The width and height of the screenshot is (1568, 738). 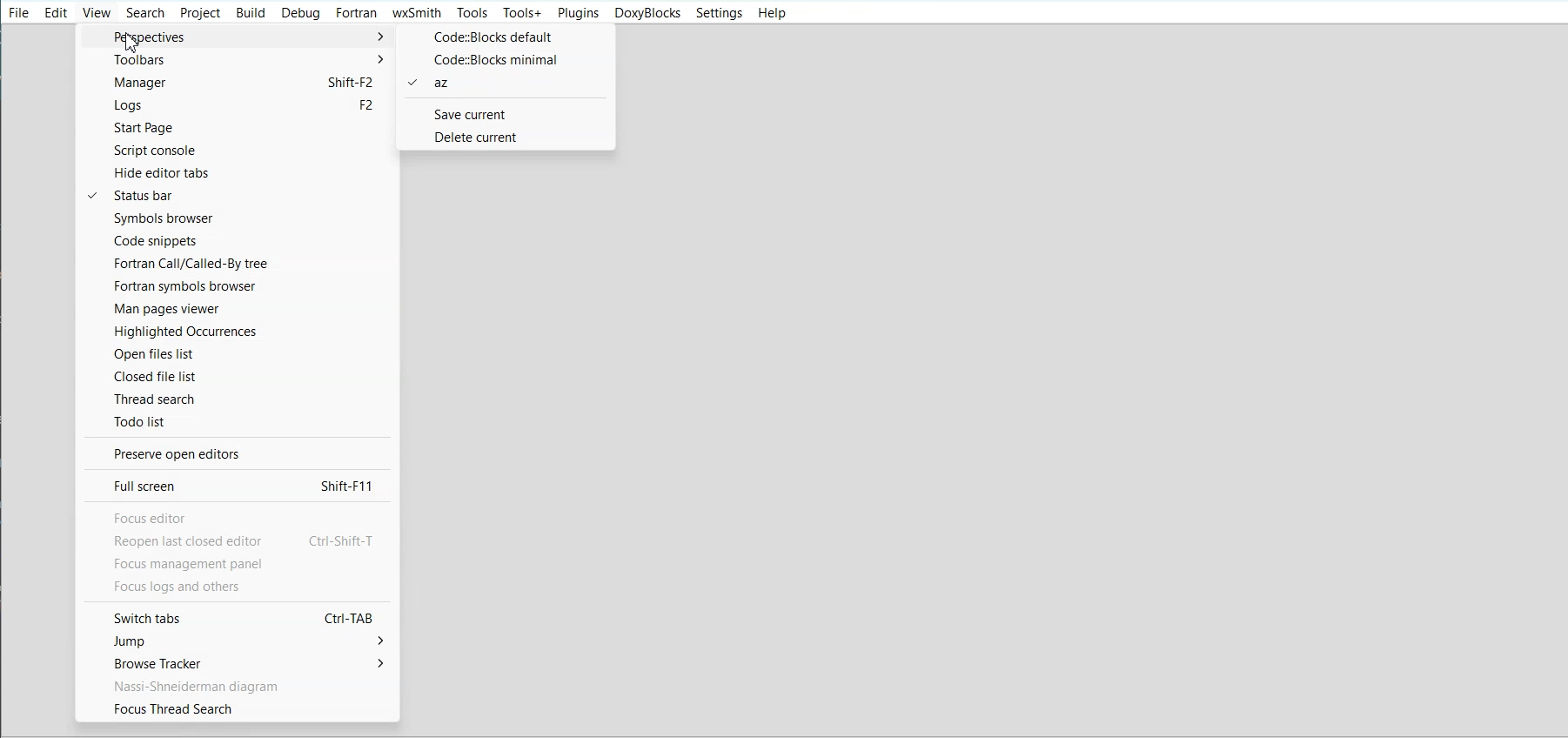 I want to click on Project, so click(x=199, y=12).